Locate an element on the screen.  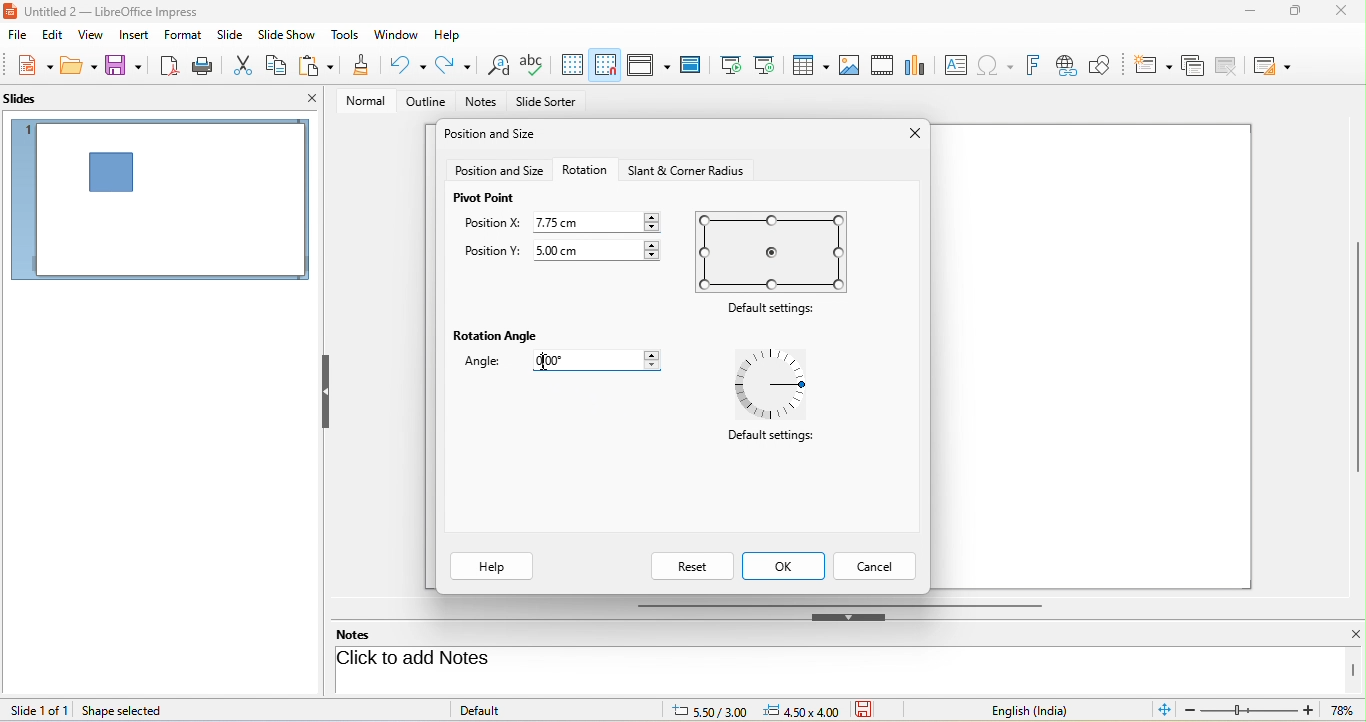
slide 1 of 1 is located at coordinates (39, 710).